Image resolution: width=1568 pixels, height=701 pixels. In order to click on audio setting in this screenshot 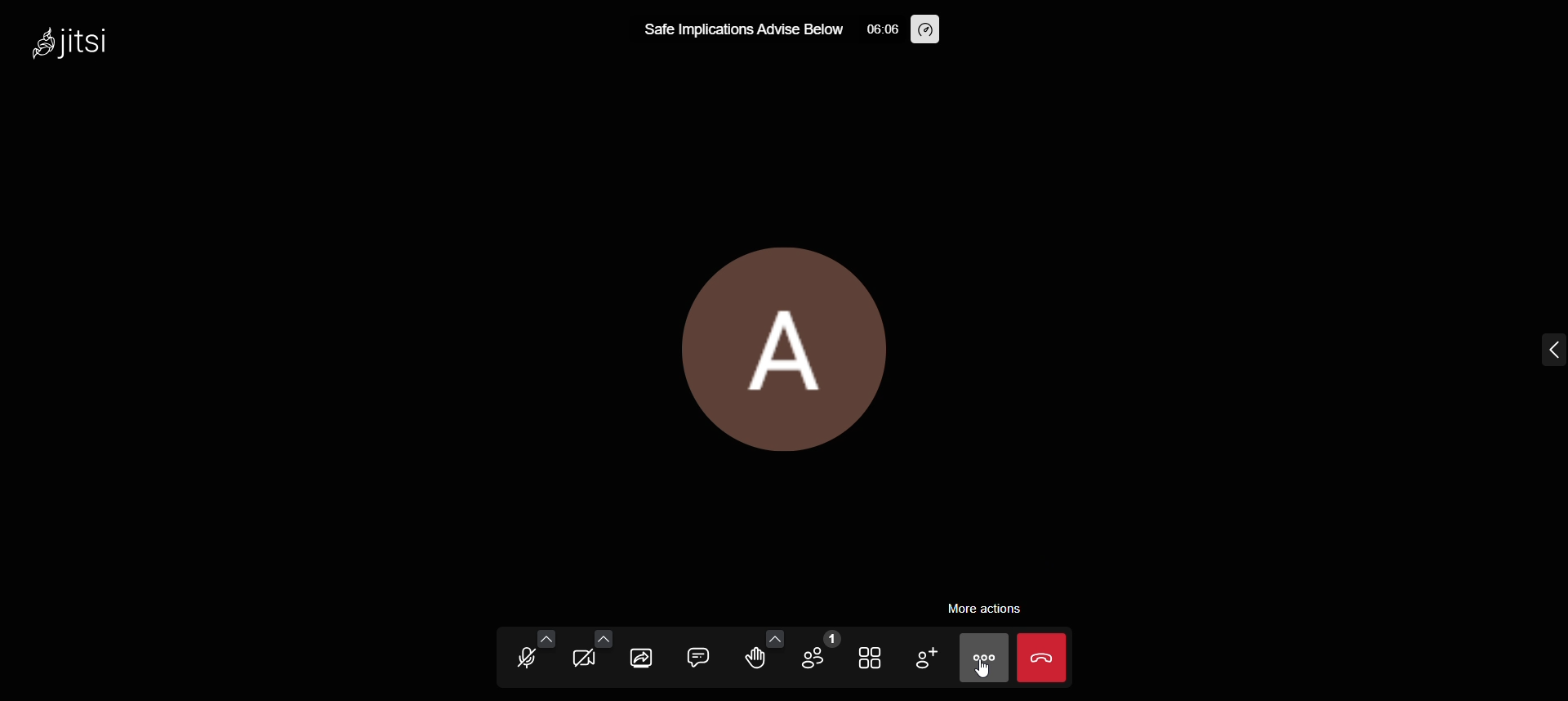, I will do `click(548, 638)`.